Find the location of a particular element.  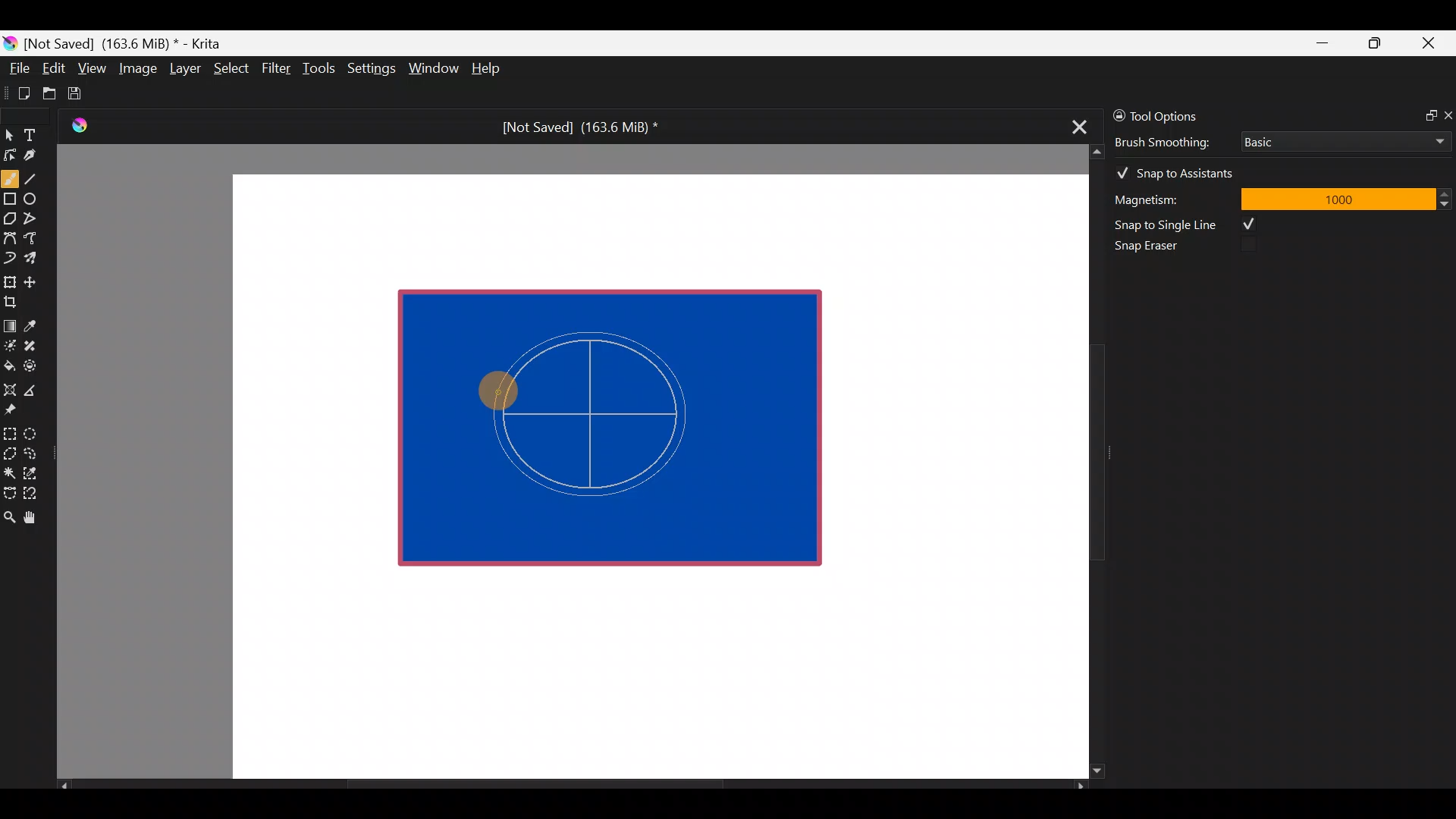

Polyline tool is located at coordinates (36, 219).